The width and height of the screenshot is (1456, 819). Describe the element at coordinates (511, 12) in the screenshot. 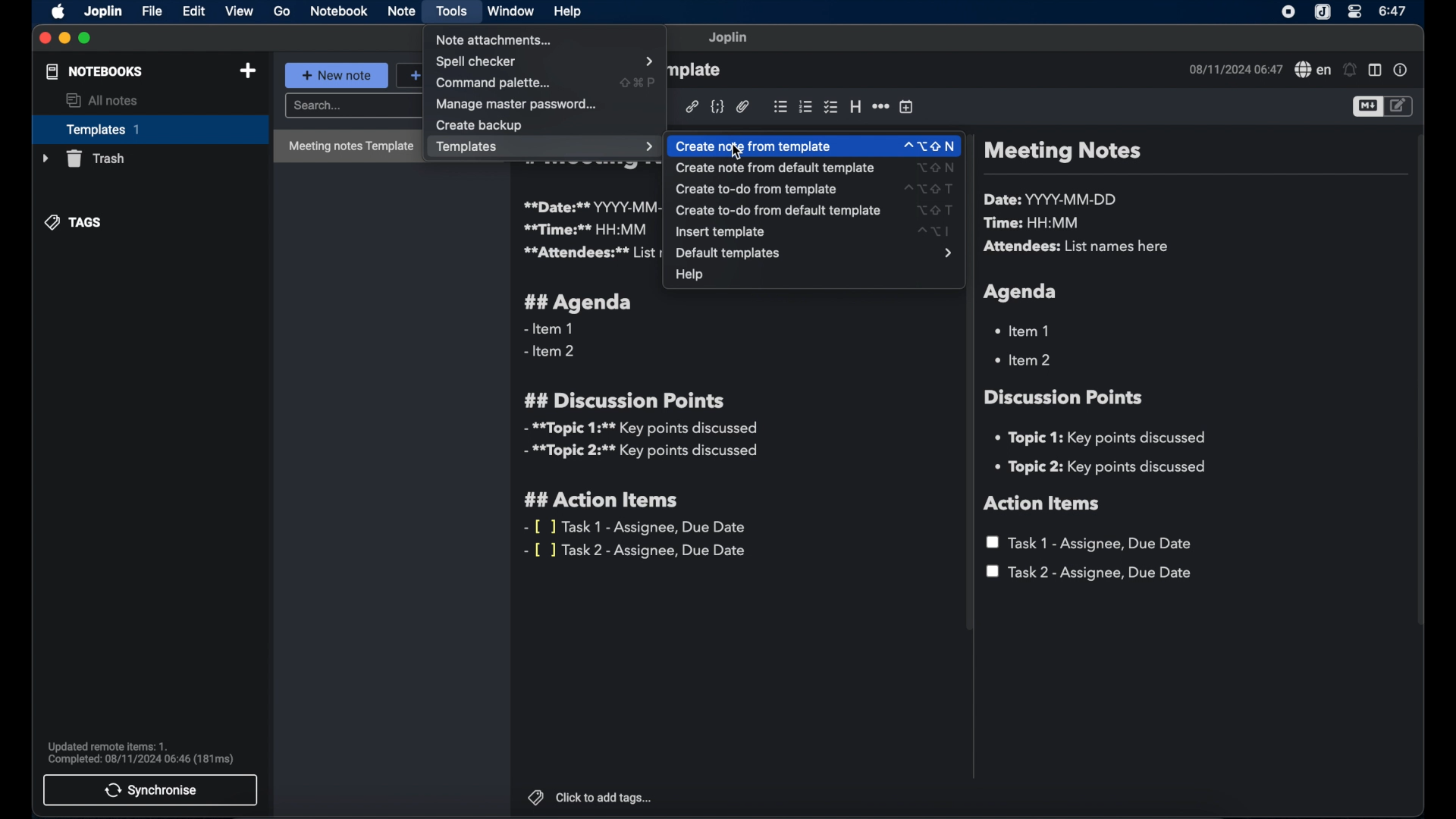

I see `window` at that location.